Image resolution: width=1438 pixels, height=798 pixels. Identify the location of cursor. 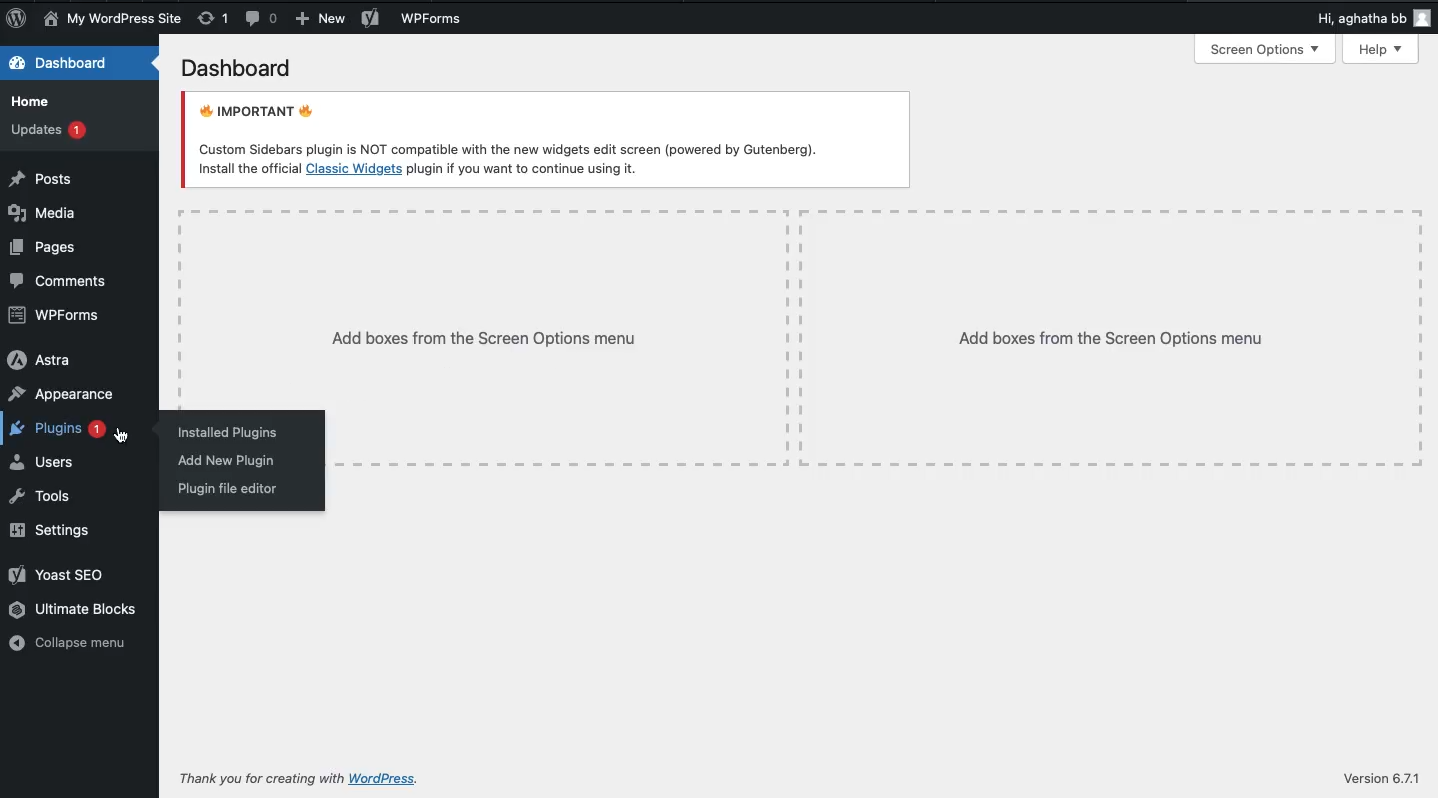
(125, 436).